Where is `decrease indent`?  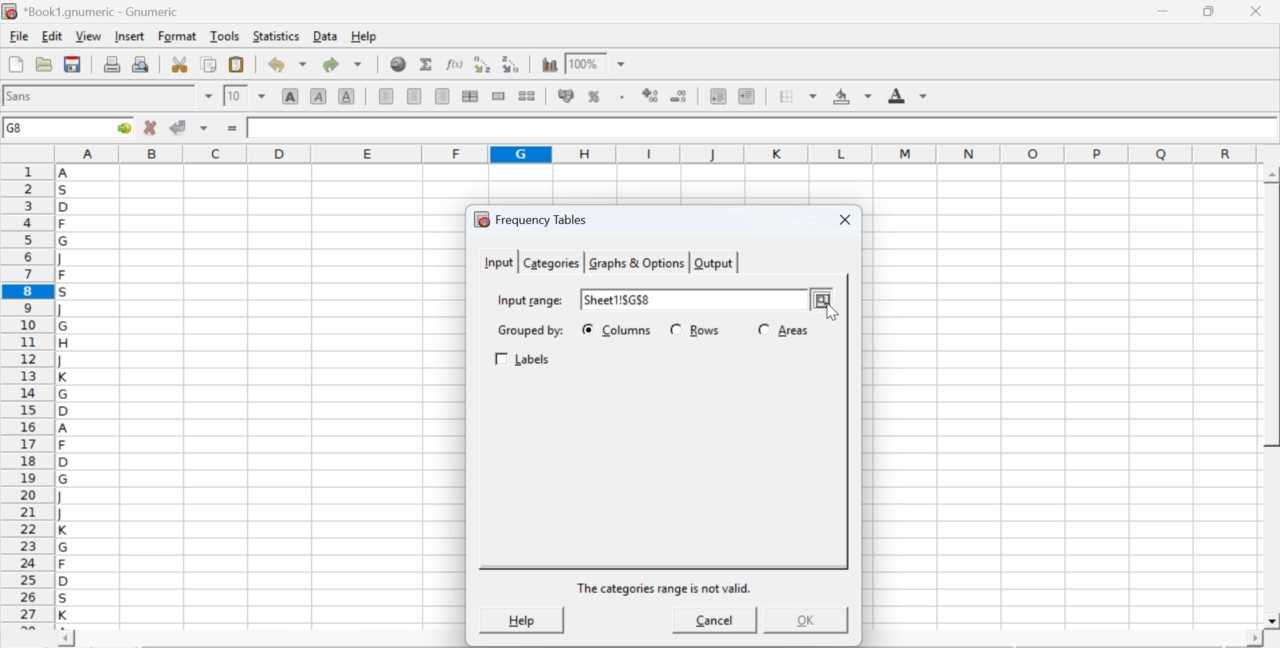 decrease indent is located at coordinates (718, 95).